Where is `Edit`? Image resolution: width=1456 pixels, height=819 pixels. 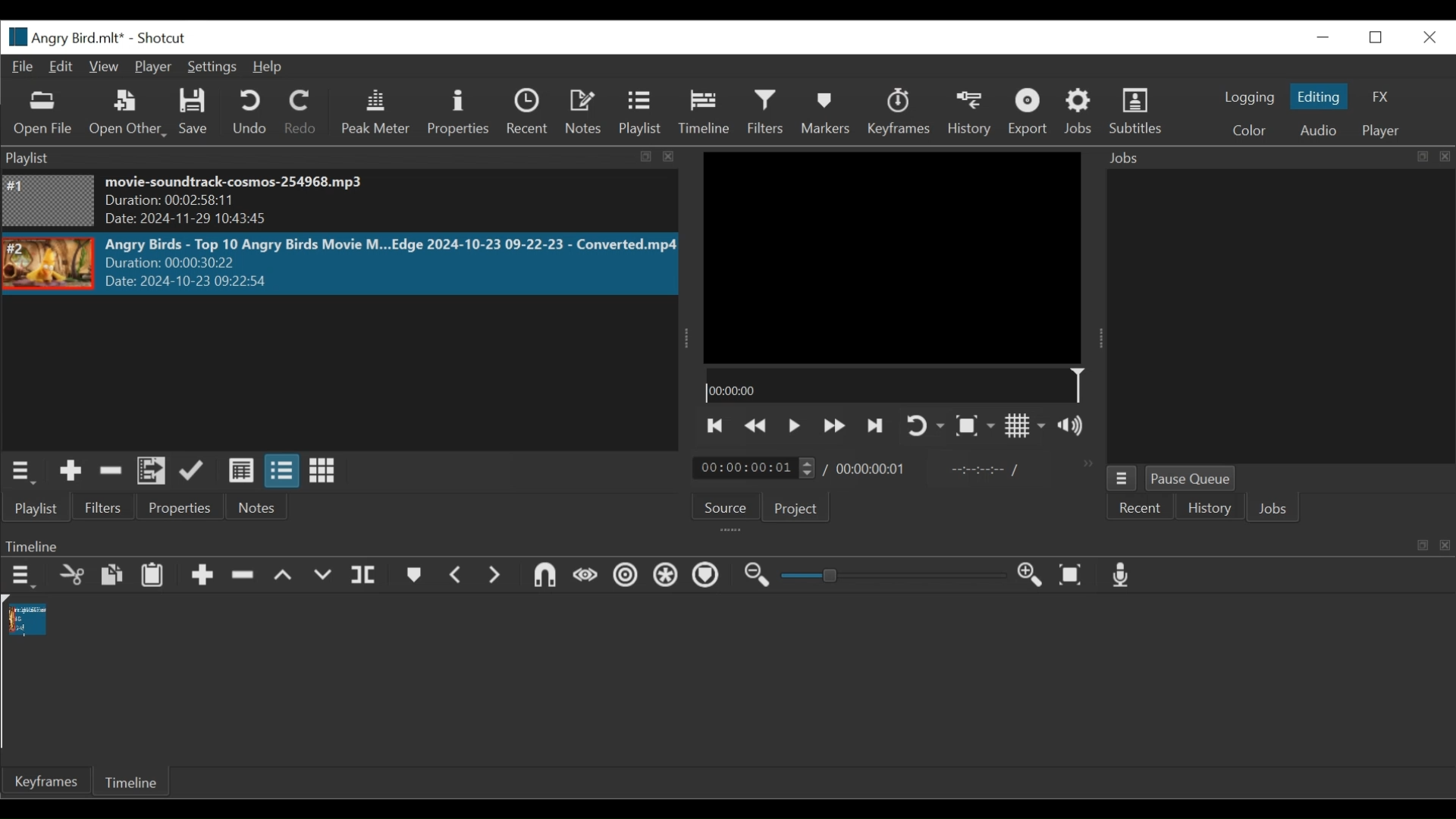
Edit is located at coordinates (61, 66).